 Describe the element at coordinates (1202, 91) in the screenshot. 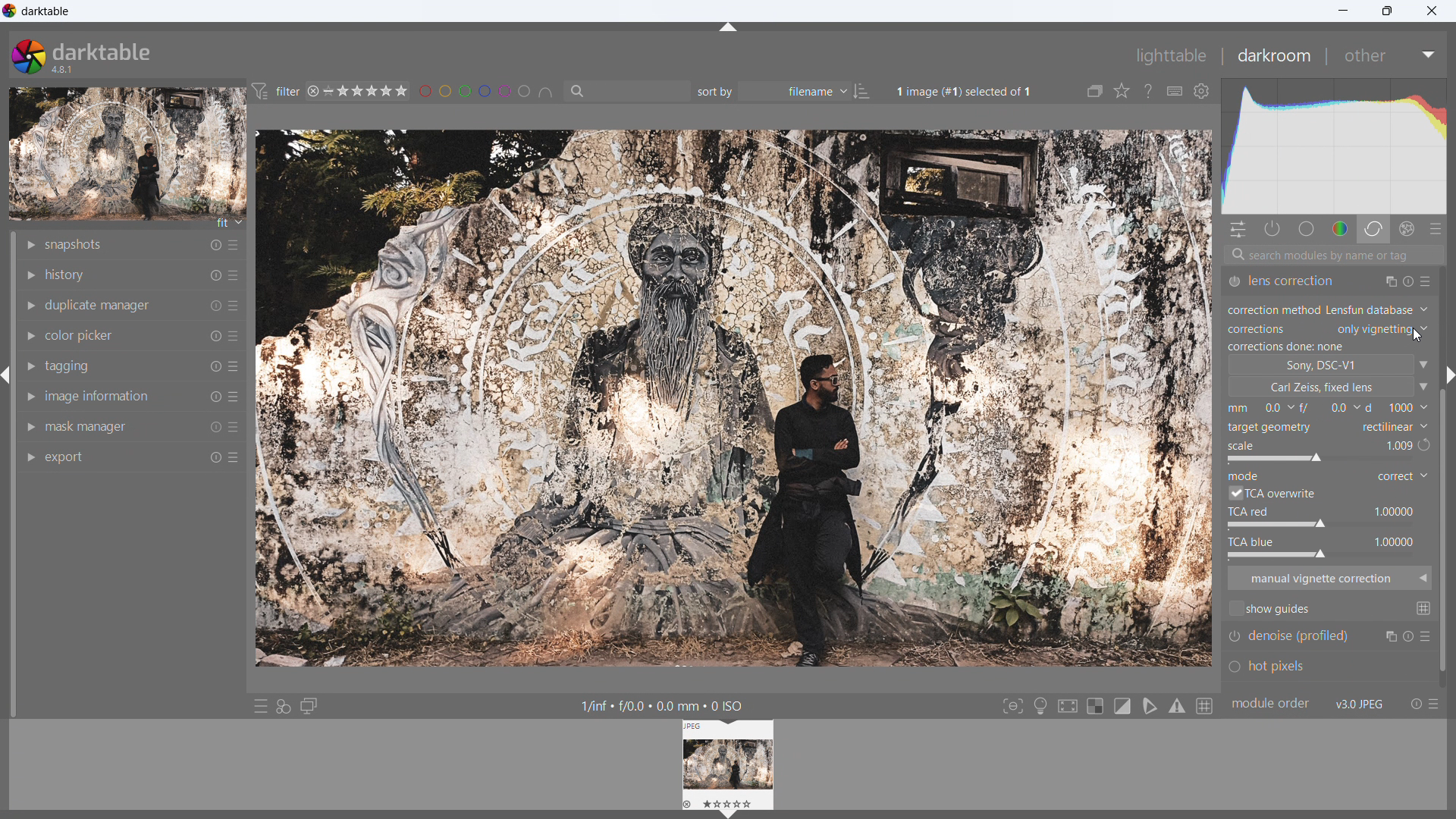

I see `global preferences` at that location.